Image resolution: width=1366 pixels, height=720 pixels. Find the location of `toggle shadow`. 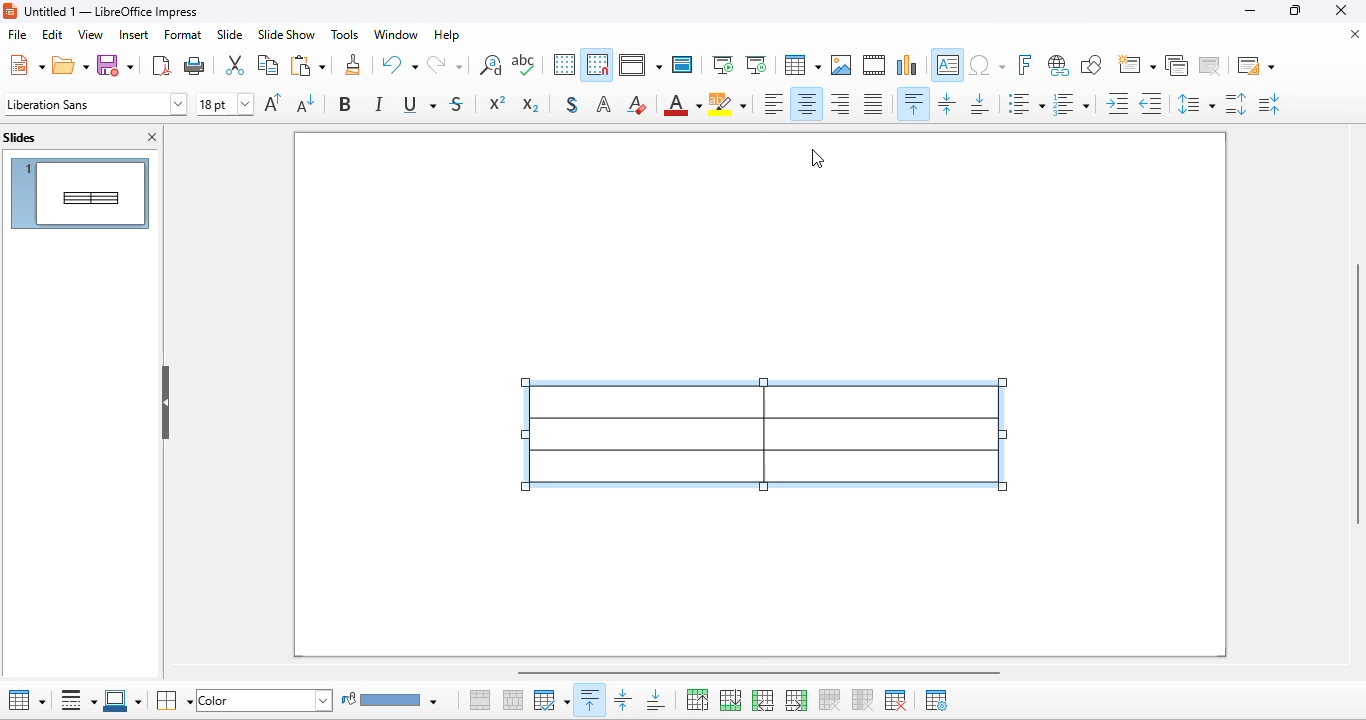

toggle shadow is located at coordinates (572, 103).